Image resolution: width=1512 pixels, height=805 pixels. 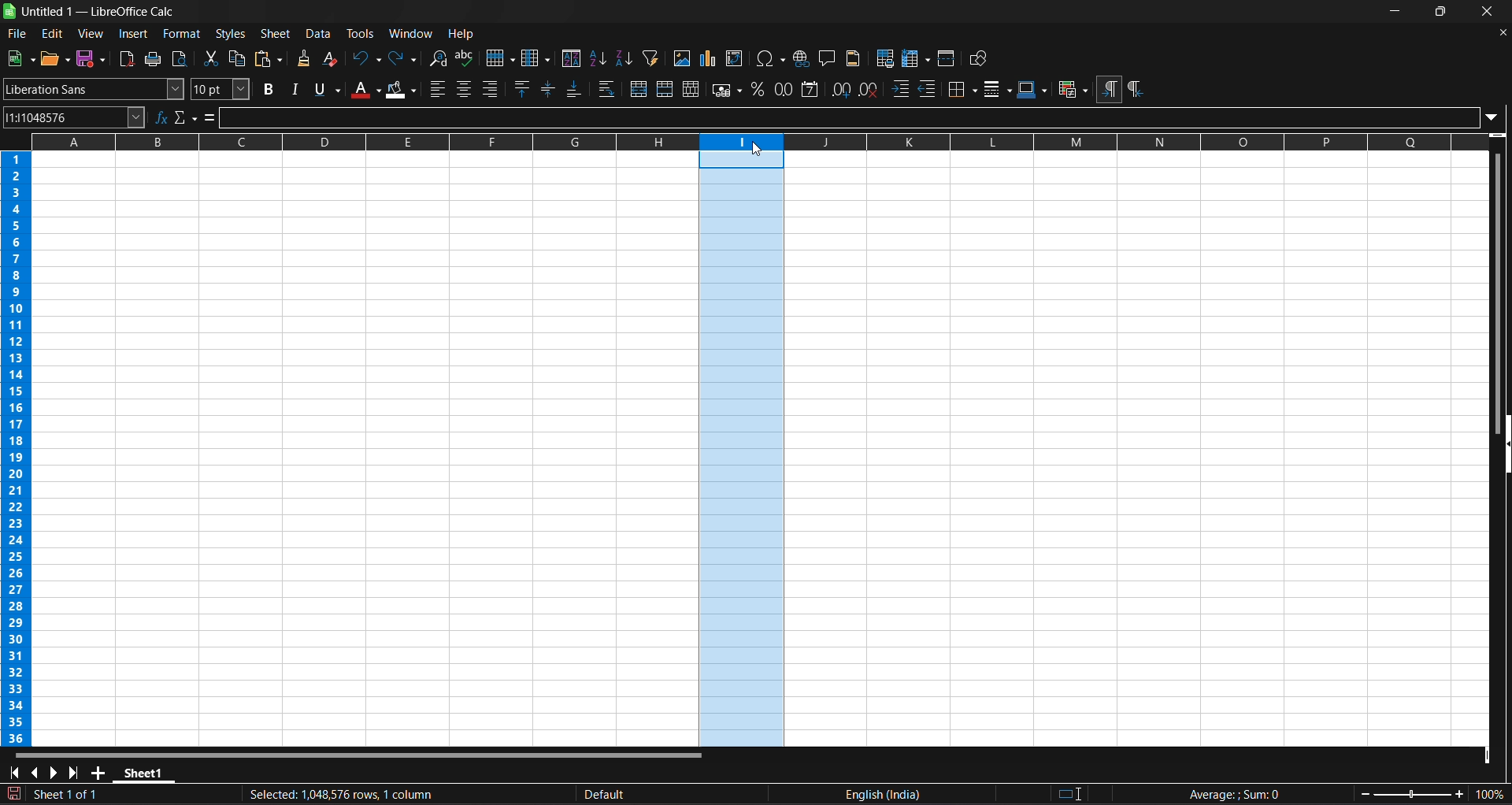 What do you see at coordinates (691, 90) in the screenshot?
I see `unmerge cells` at bounding box center [691, 90].